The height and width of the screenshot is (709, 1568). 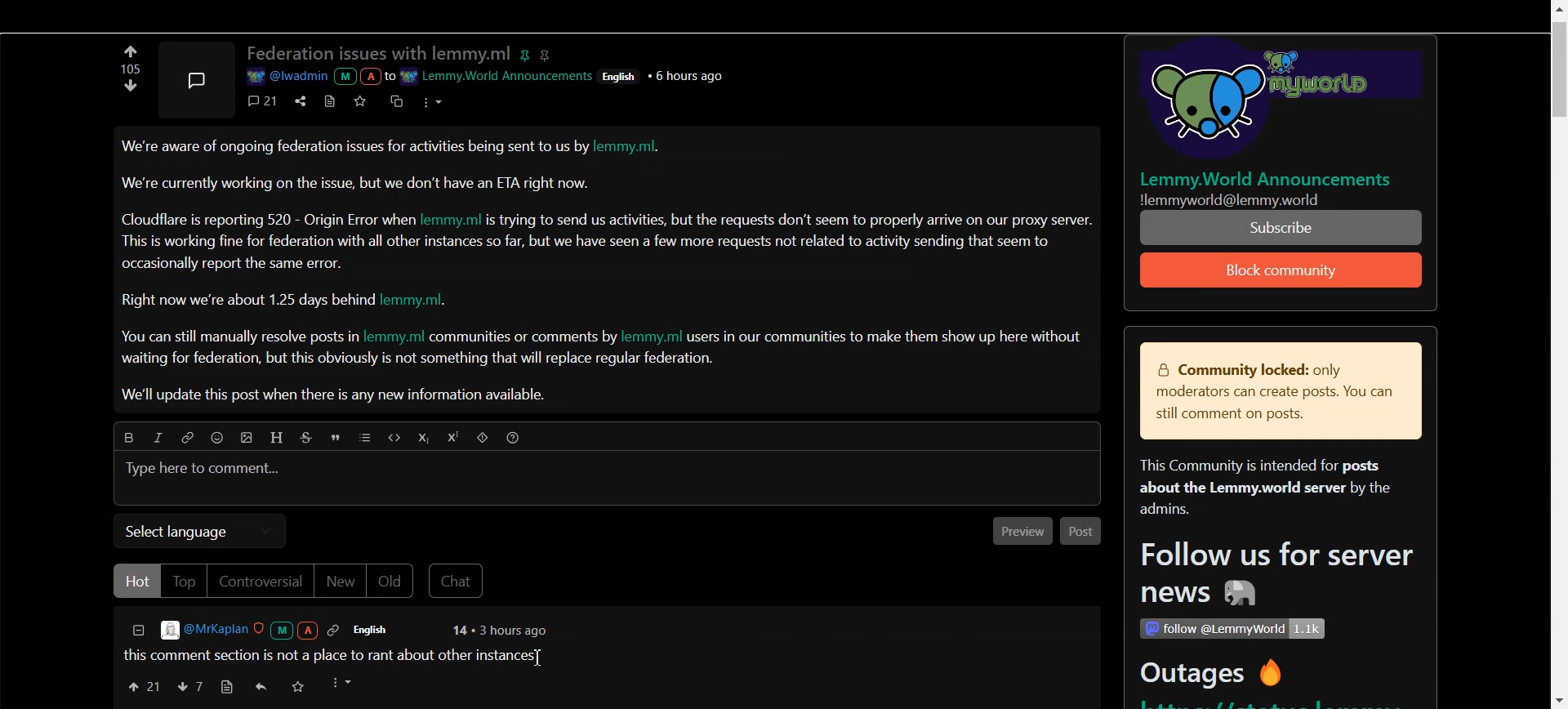 I want to click on Emoji, so click(x=221, y=439).